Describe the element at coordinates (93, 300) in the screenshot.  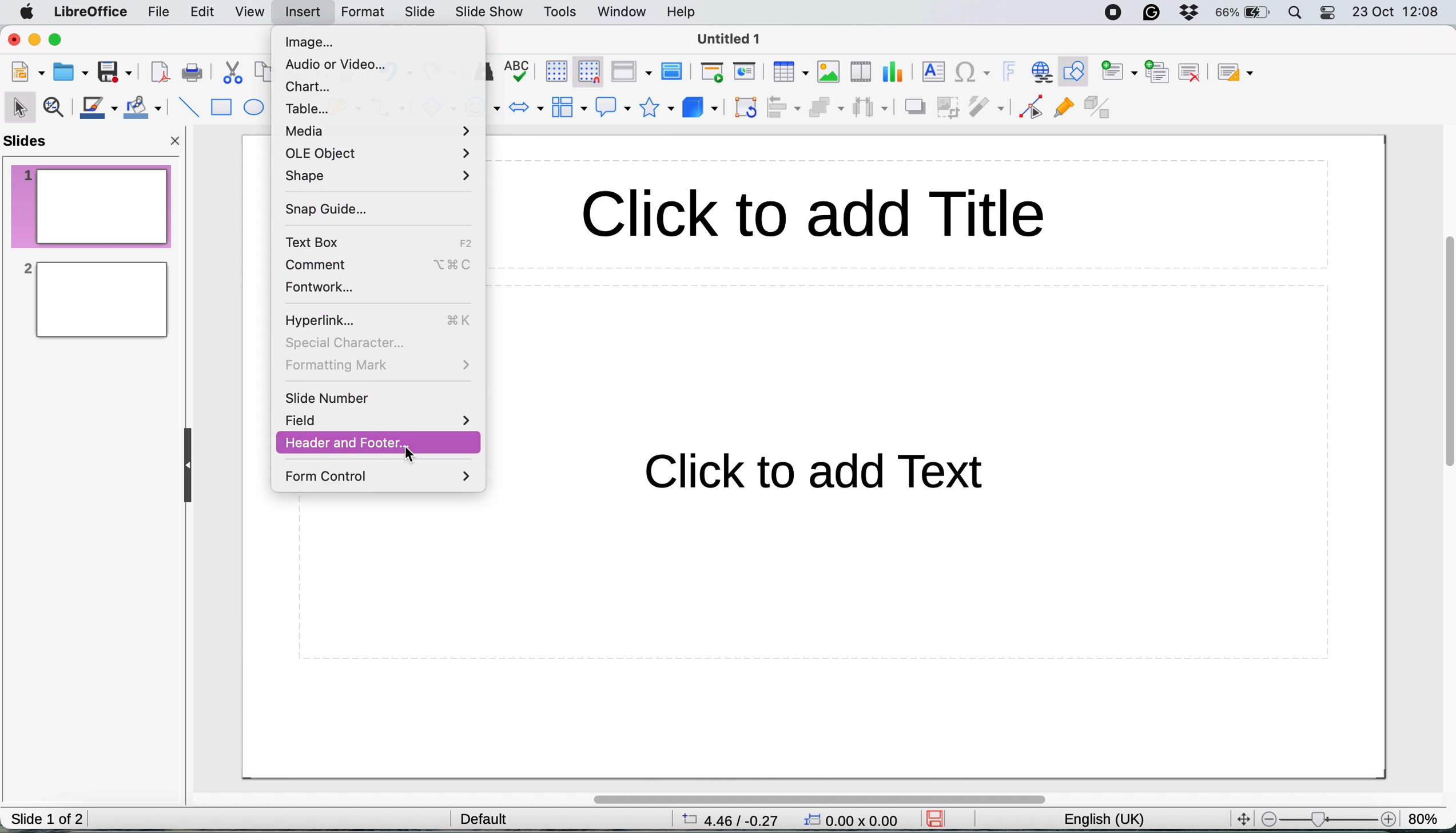
I see `slide 2` at that location.